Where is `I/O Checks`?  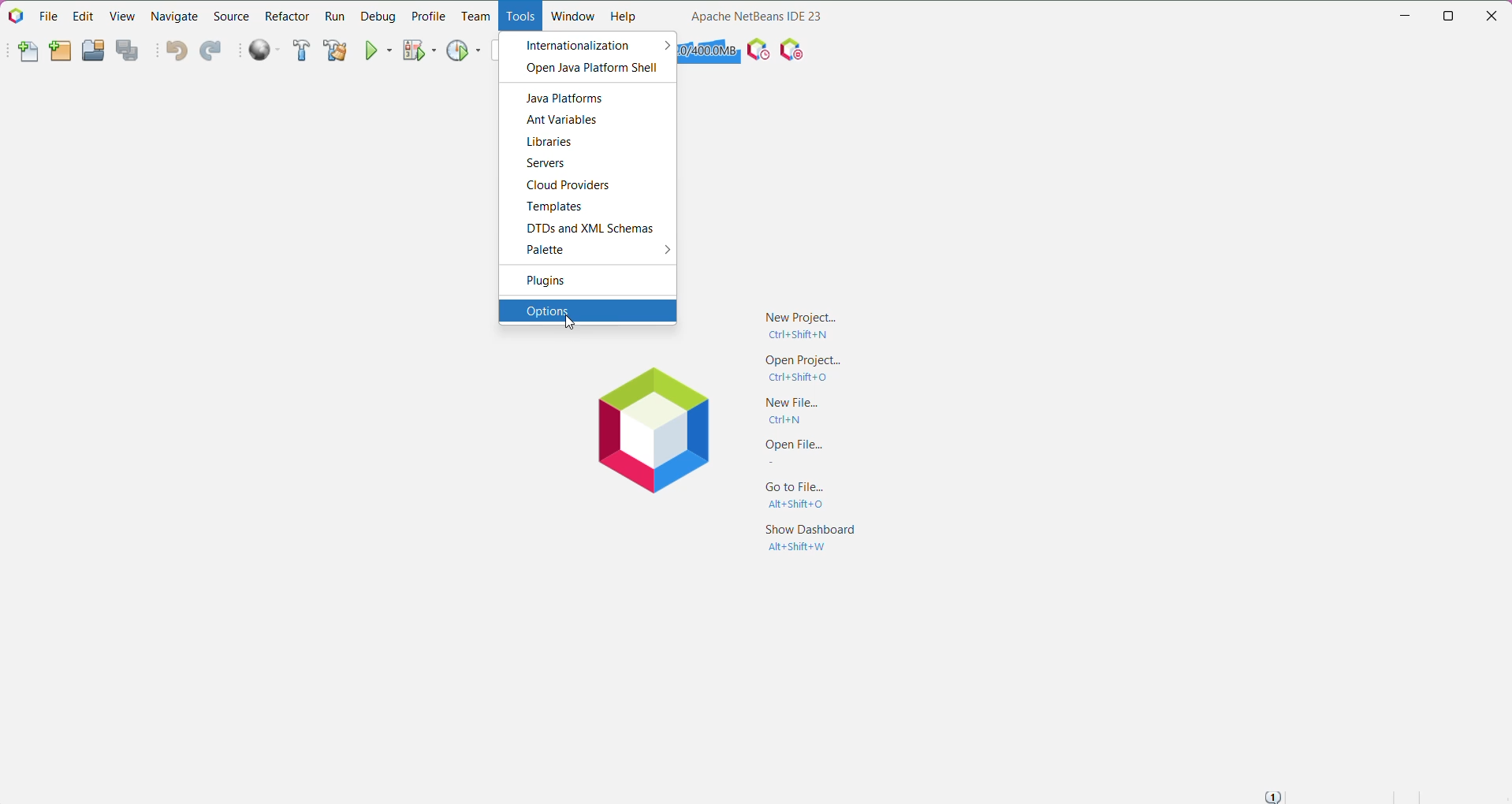 I/O Checks is located at coordinates (794, 49).